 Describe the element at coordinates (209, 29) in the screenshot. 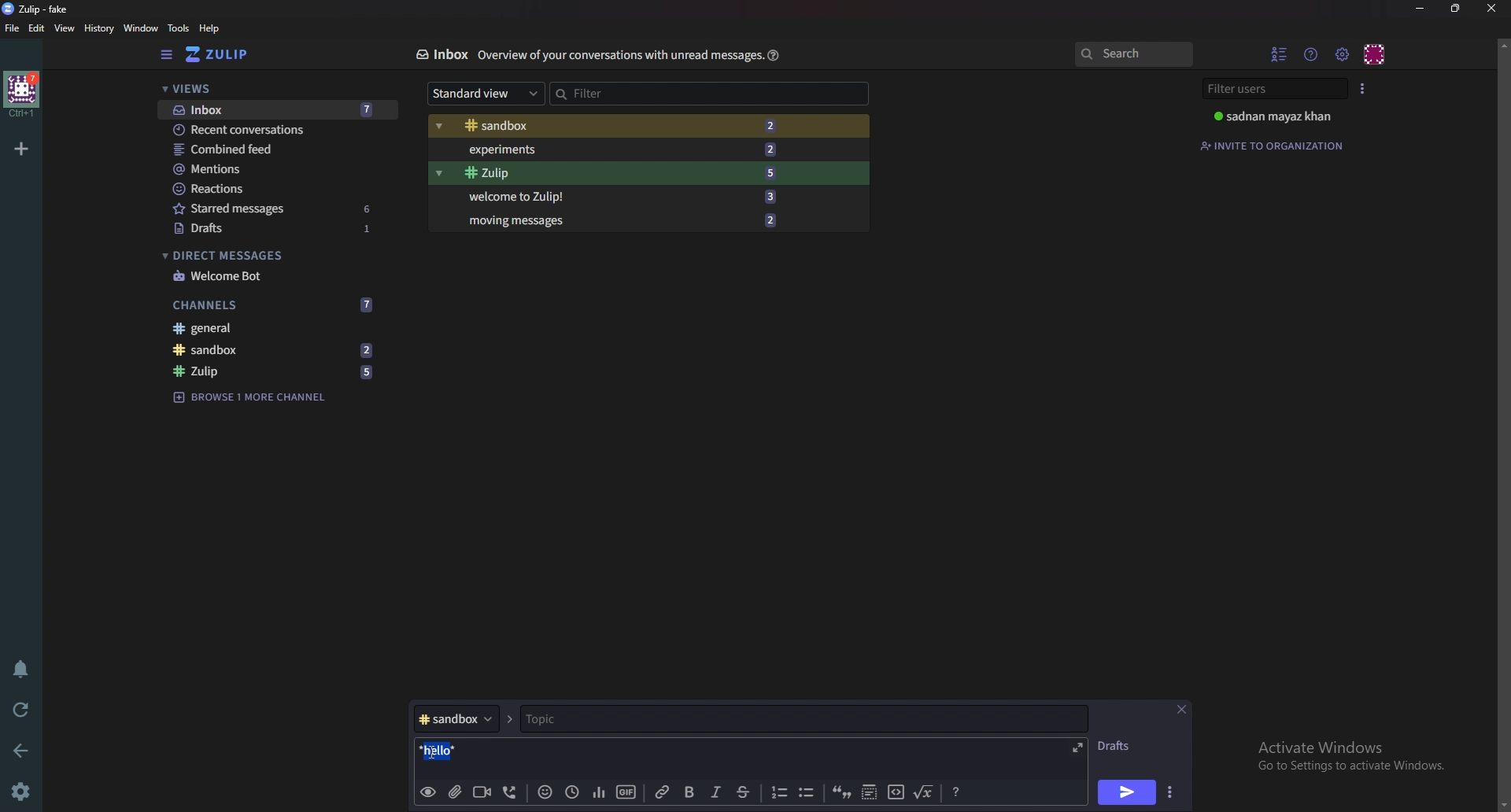

I see `help` at that location.